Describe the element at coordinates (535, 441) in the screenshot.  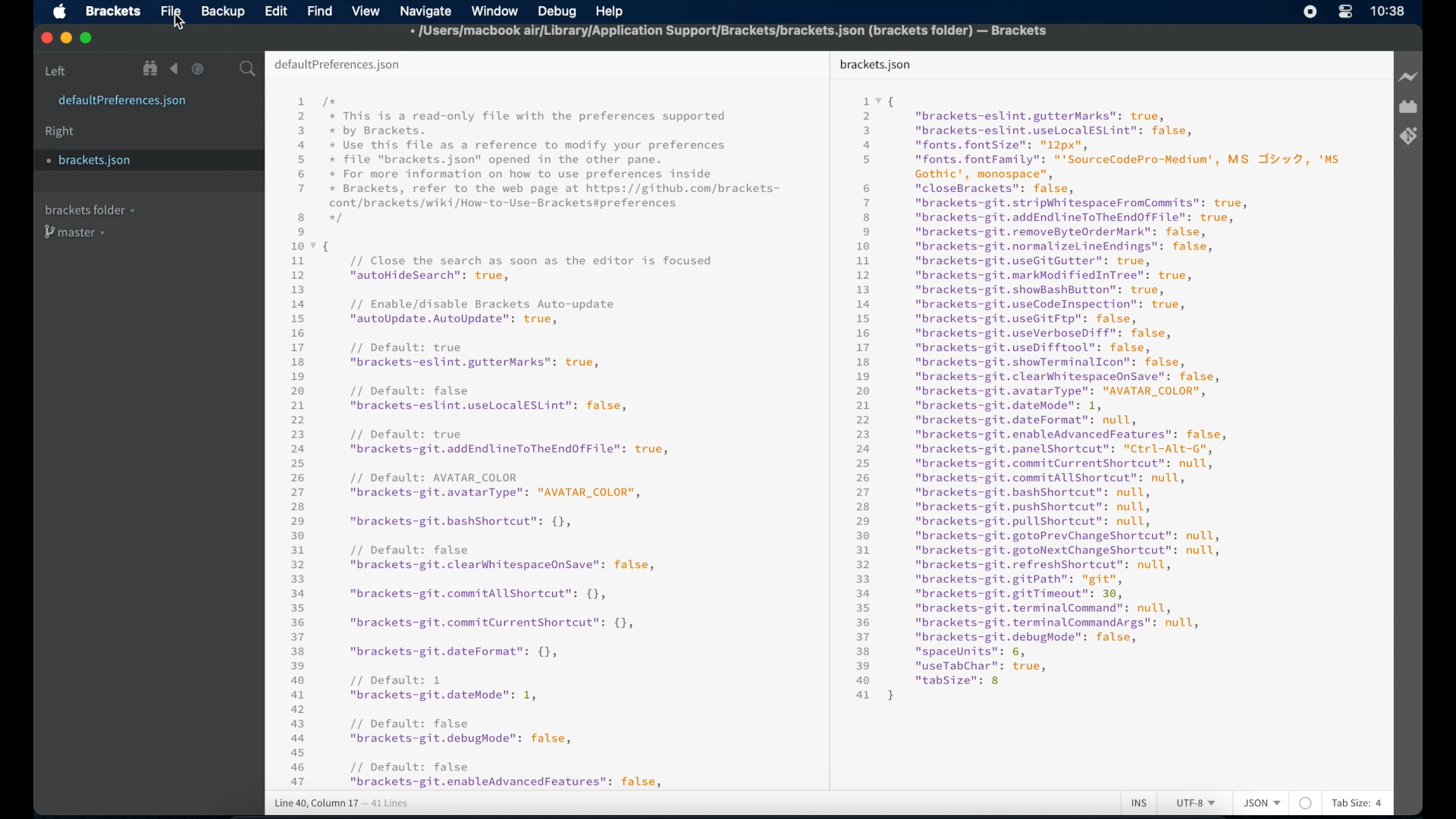
I see `json syntax` at that location.